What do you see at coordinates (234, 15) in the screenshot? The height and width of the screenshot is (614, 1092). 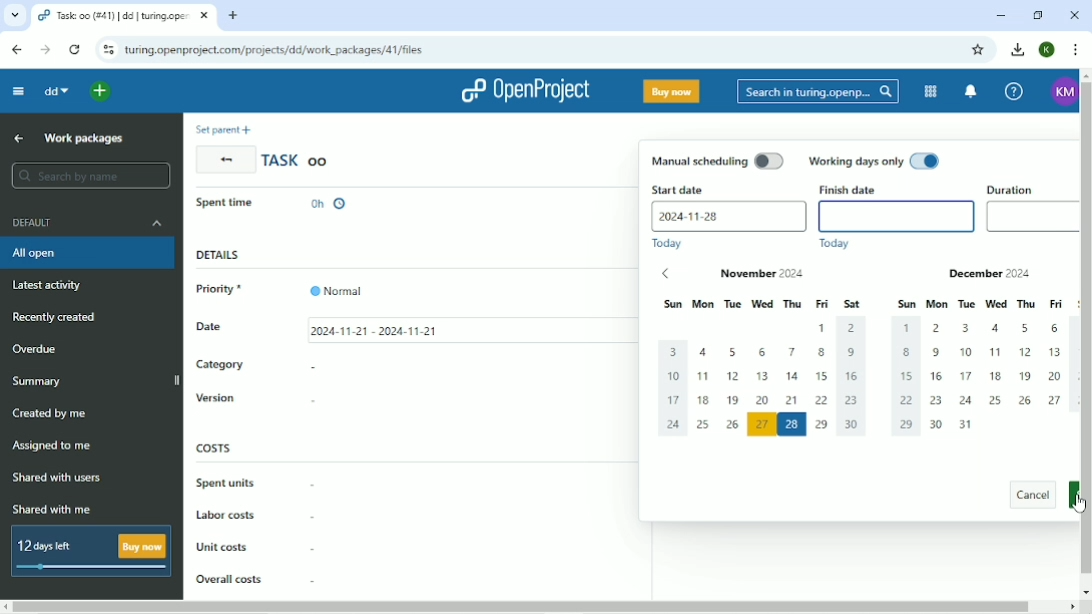 I see `New tab` at bounding box center [234, 15].